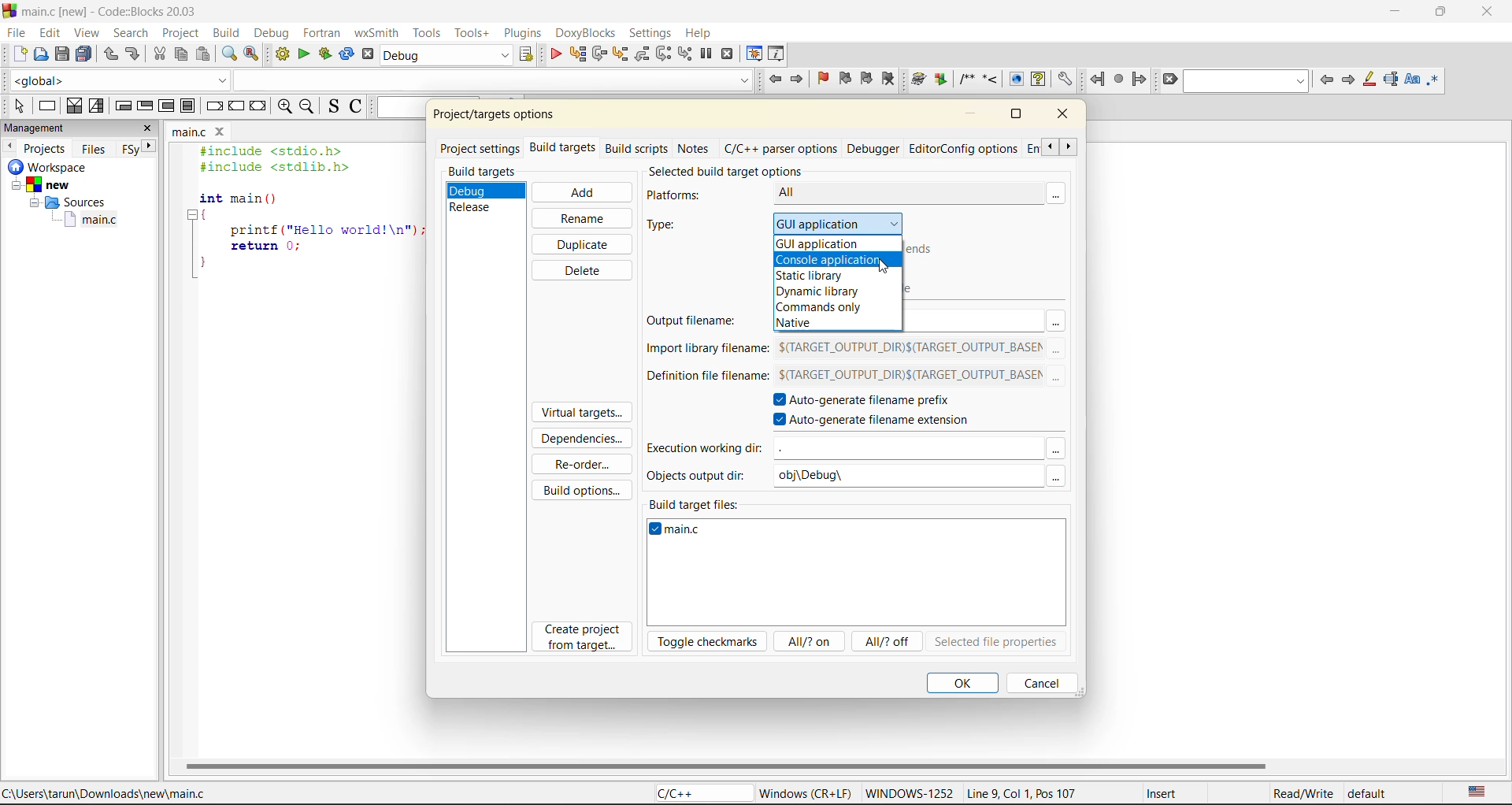  I want to click on search, so click(132, 33).